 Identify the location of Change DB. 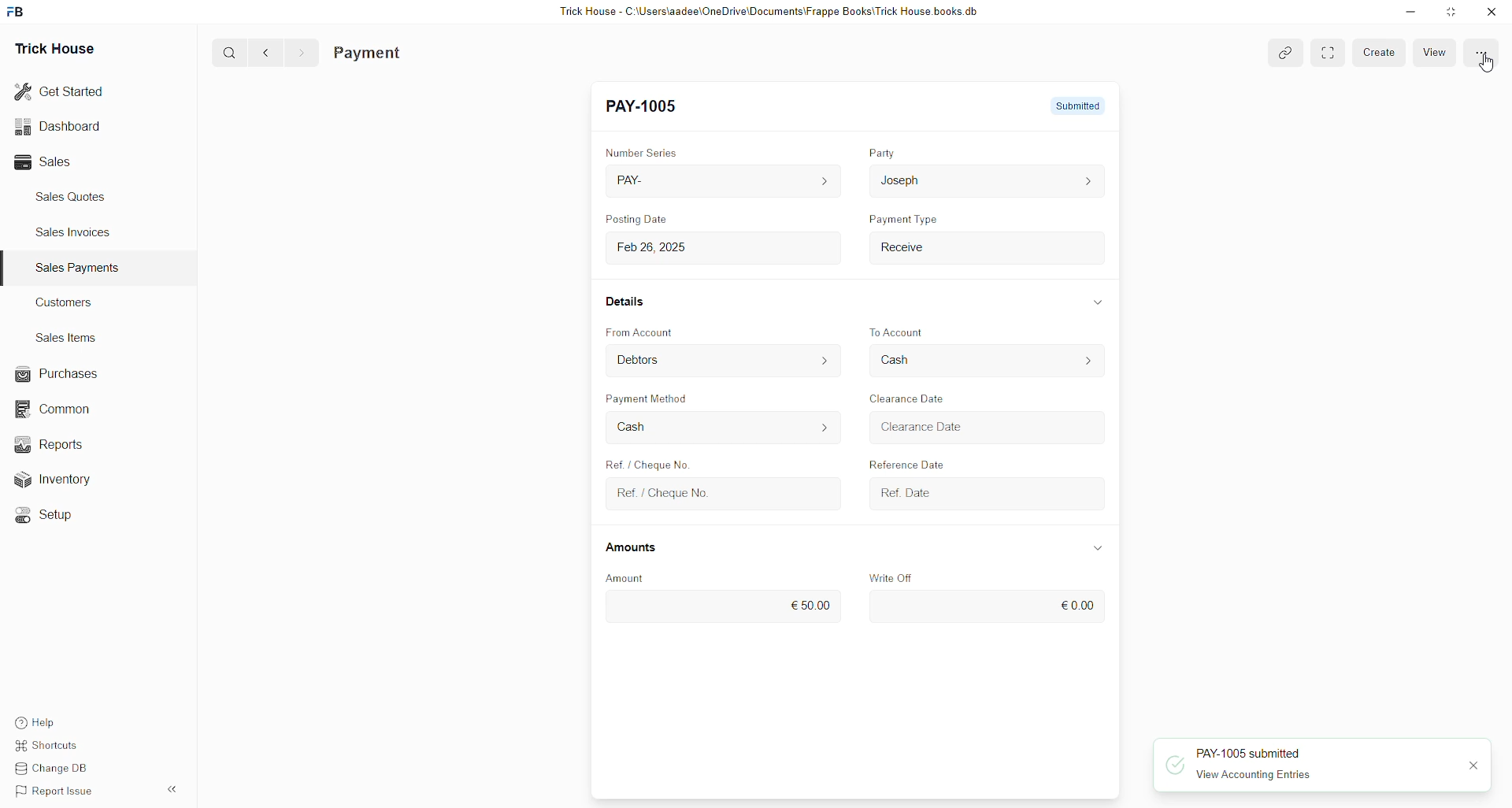
(57, 767).